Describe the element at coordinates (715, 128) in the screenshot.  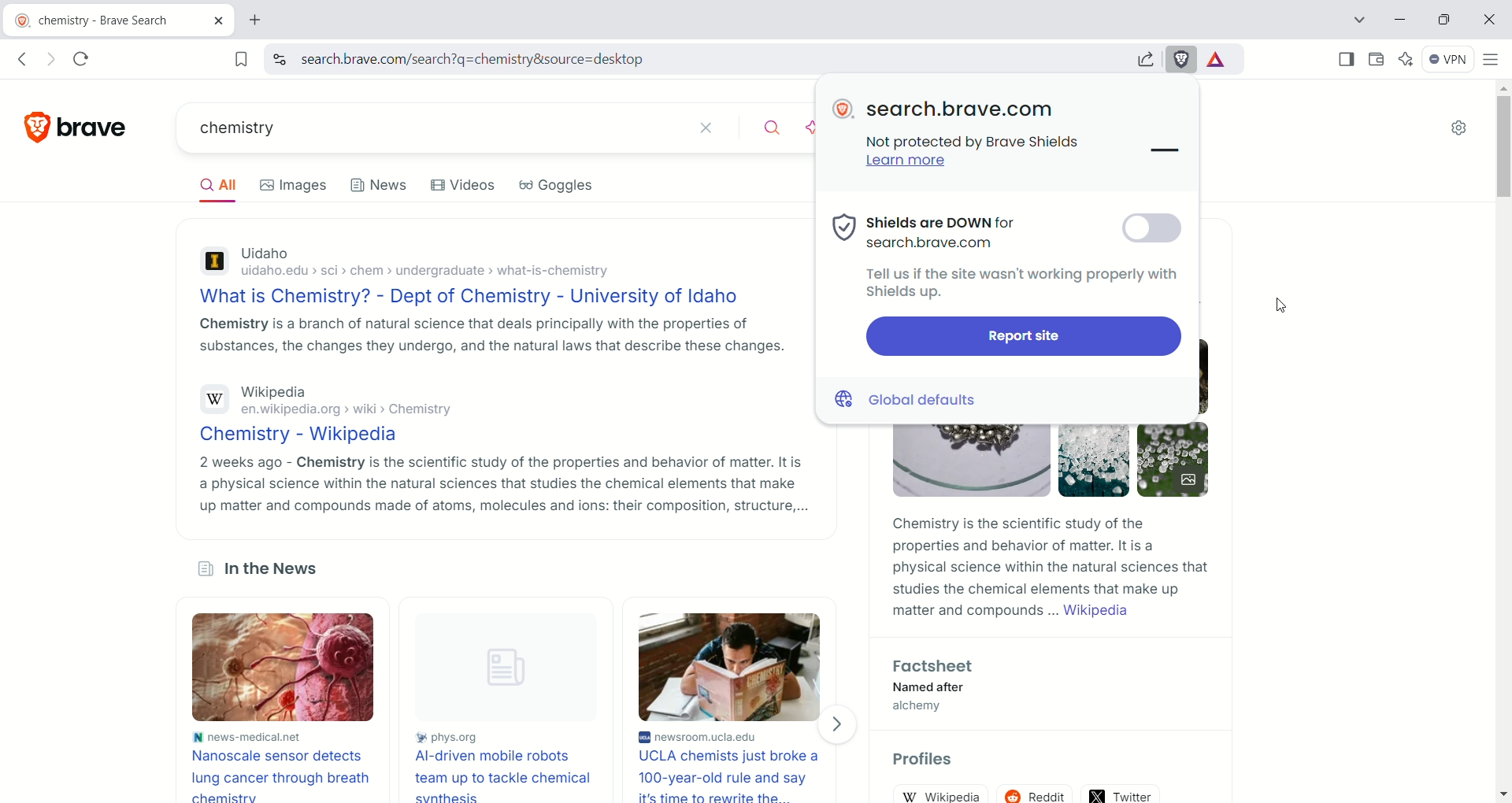
I see `clear` at that location.